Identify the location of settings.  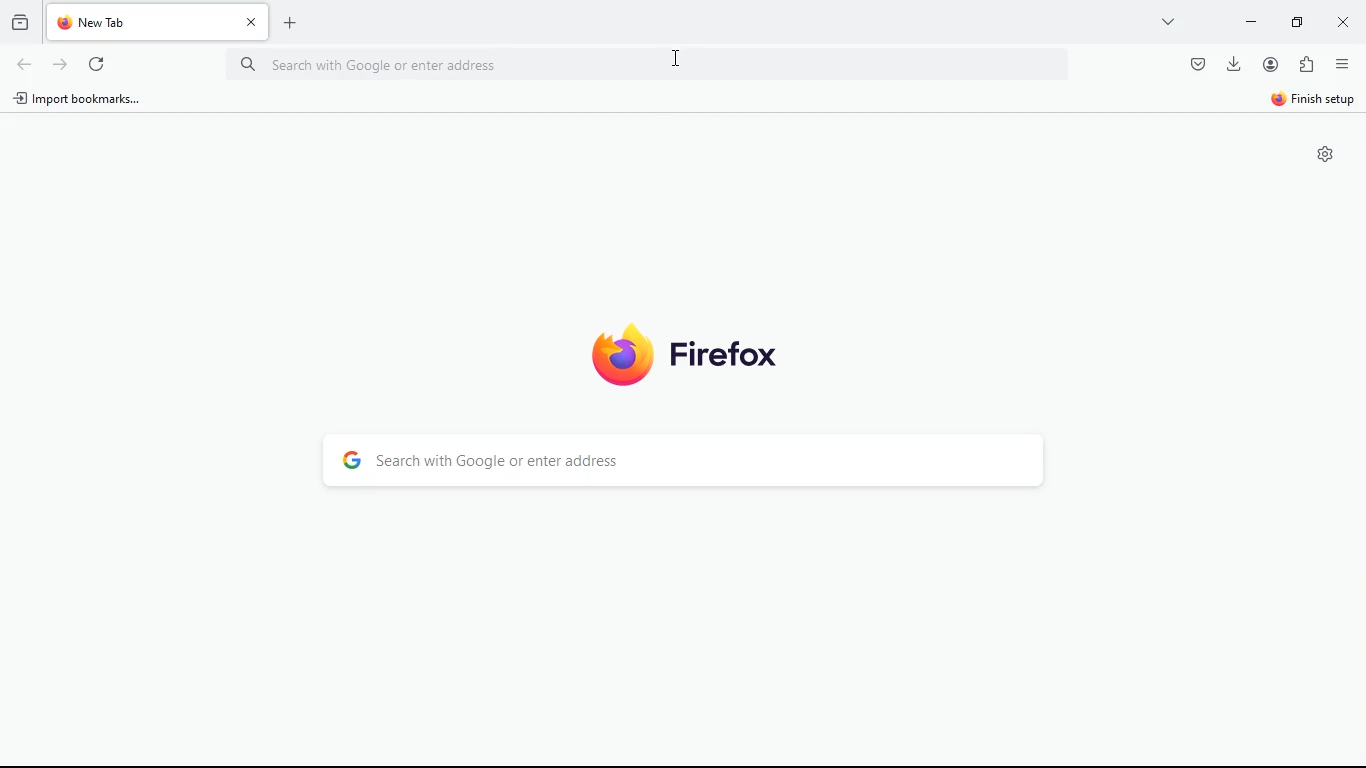
(1329, 156).